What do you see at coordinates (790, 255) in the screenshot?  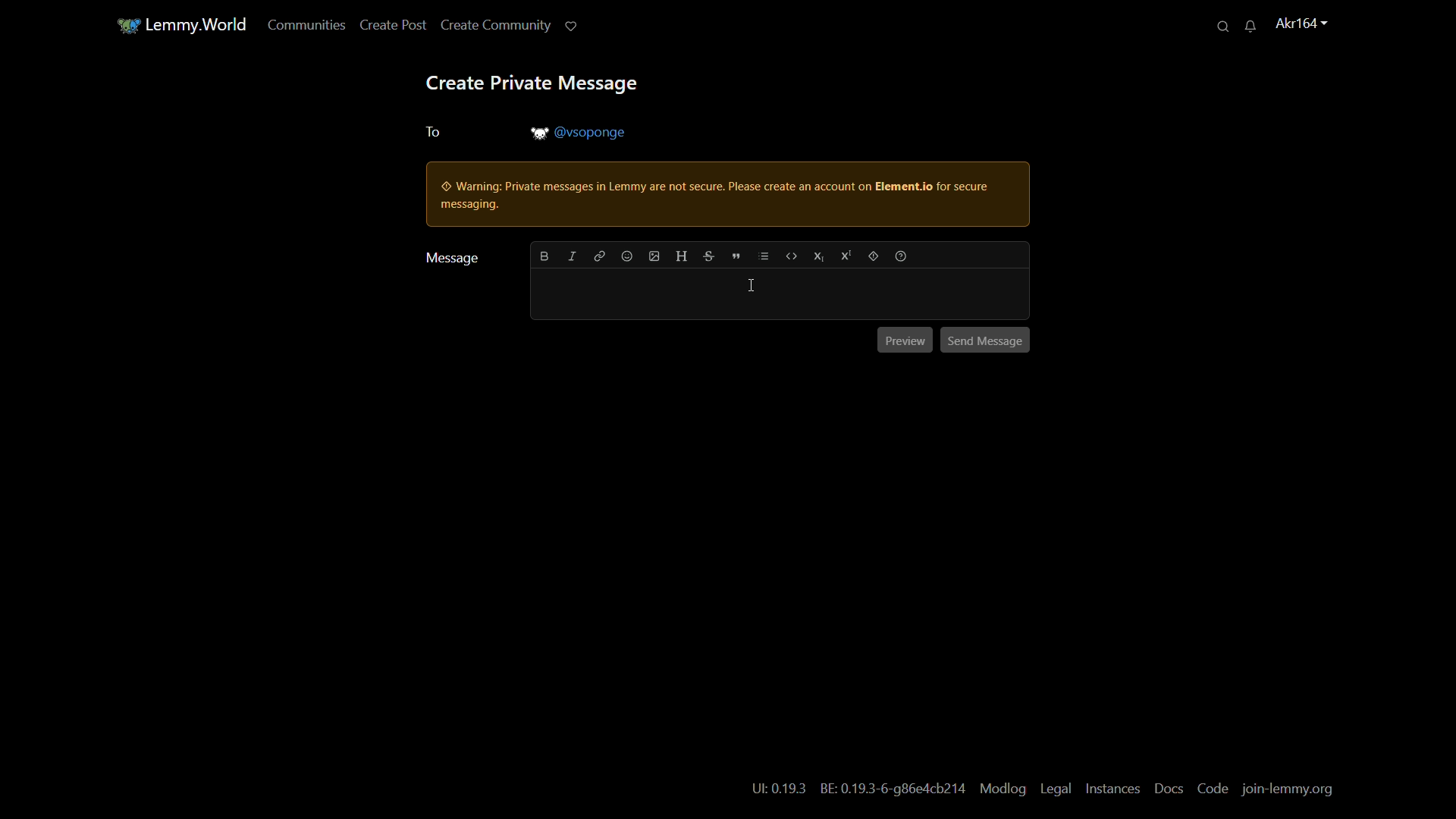 I see `code` at bounding box center [790, 255].